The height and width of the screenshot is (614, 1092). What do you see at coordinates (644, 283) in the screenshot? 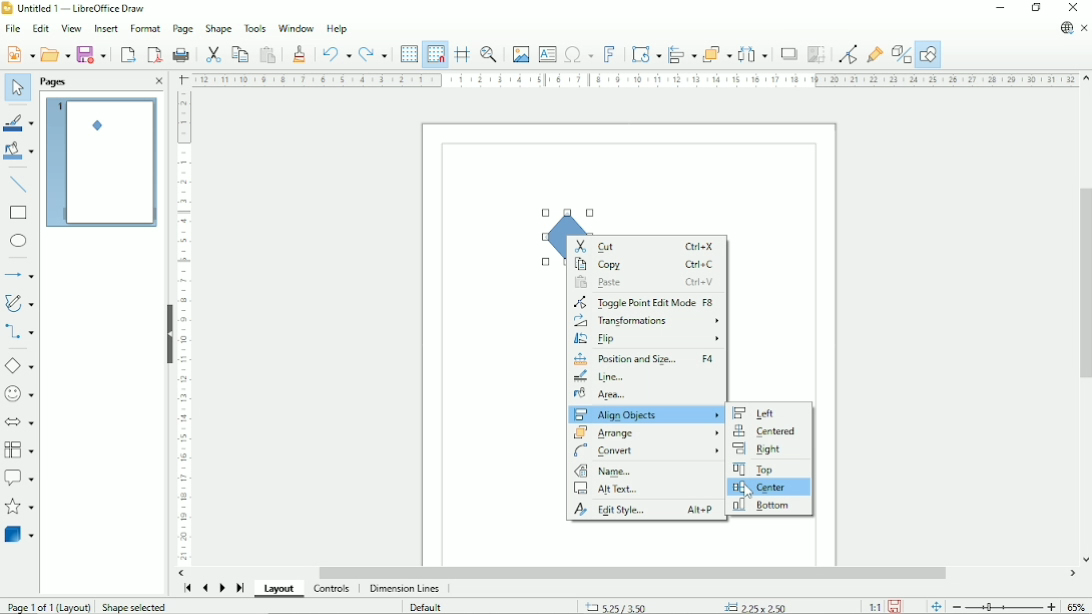
I see `Paste` at bounding box center [644, 283].